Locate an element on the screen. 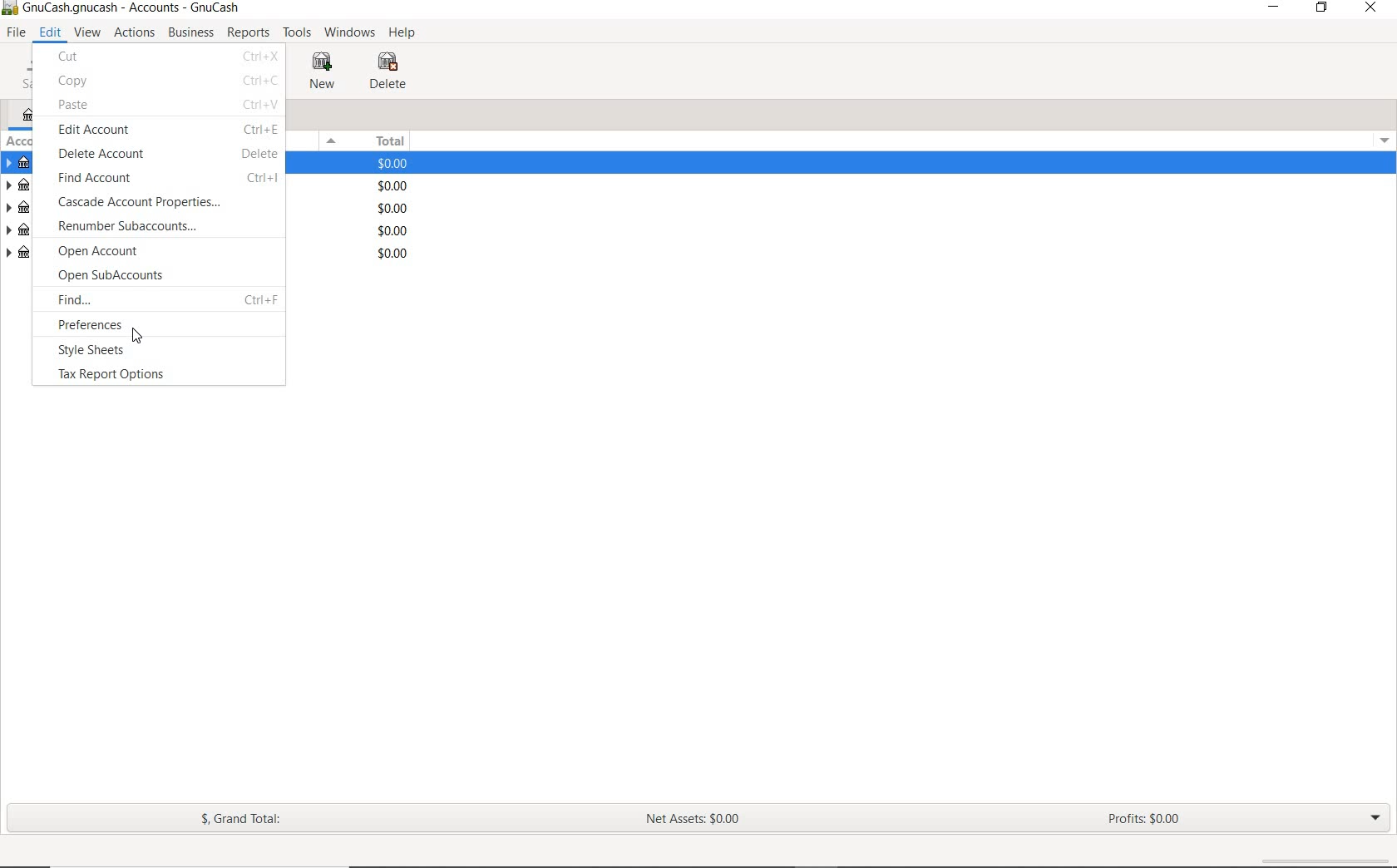 The width and height of the screenshot is (1397, 868). EXPAND is located at coordinates (1375, 817).